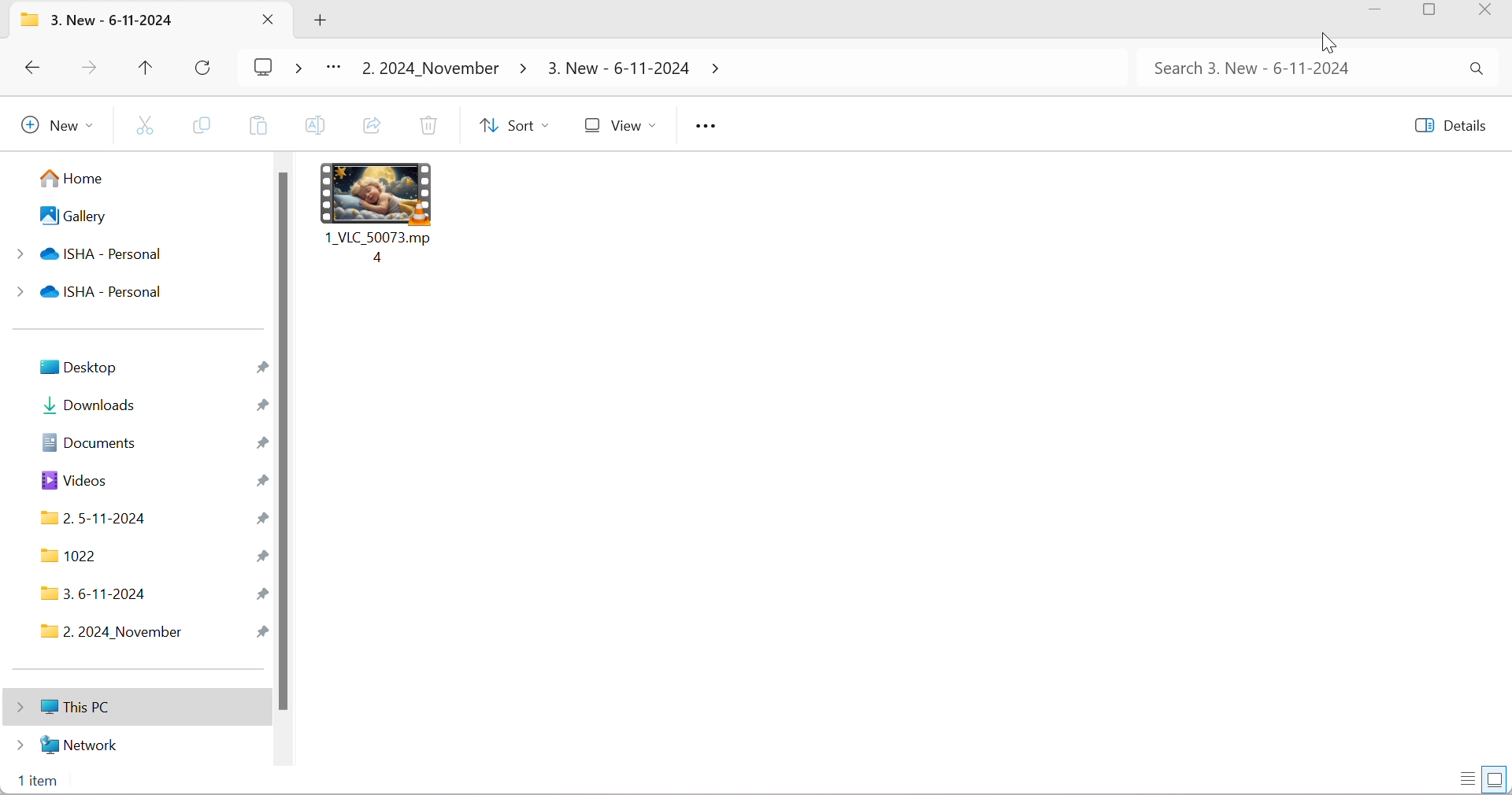 This screenshot has height=795, width=1512. I want to click on Arrow, so click(522, 70).